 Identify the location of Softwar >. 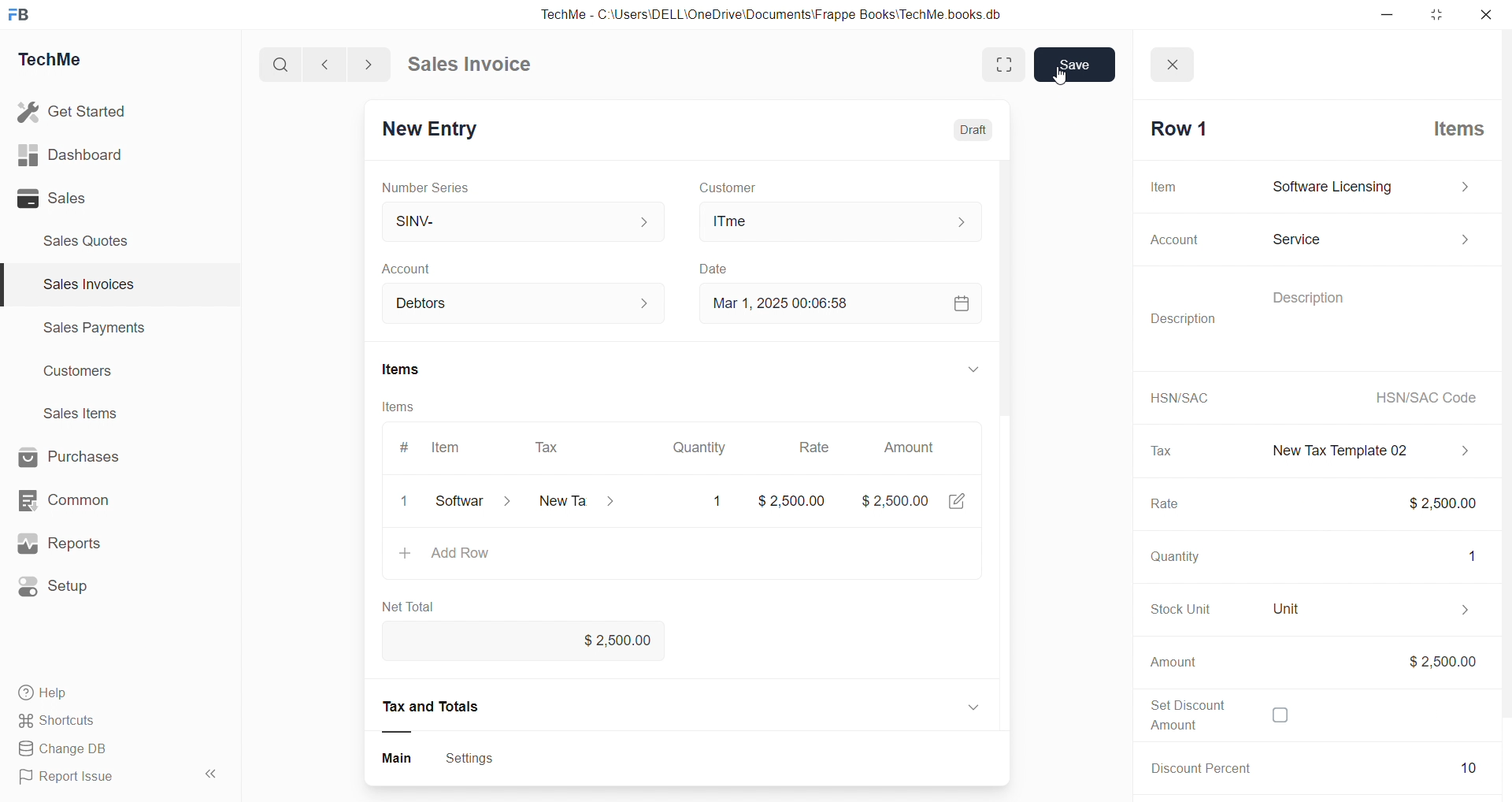
(470, 503).